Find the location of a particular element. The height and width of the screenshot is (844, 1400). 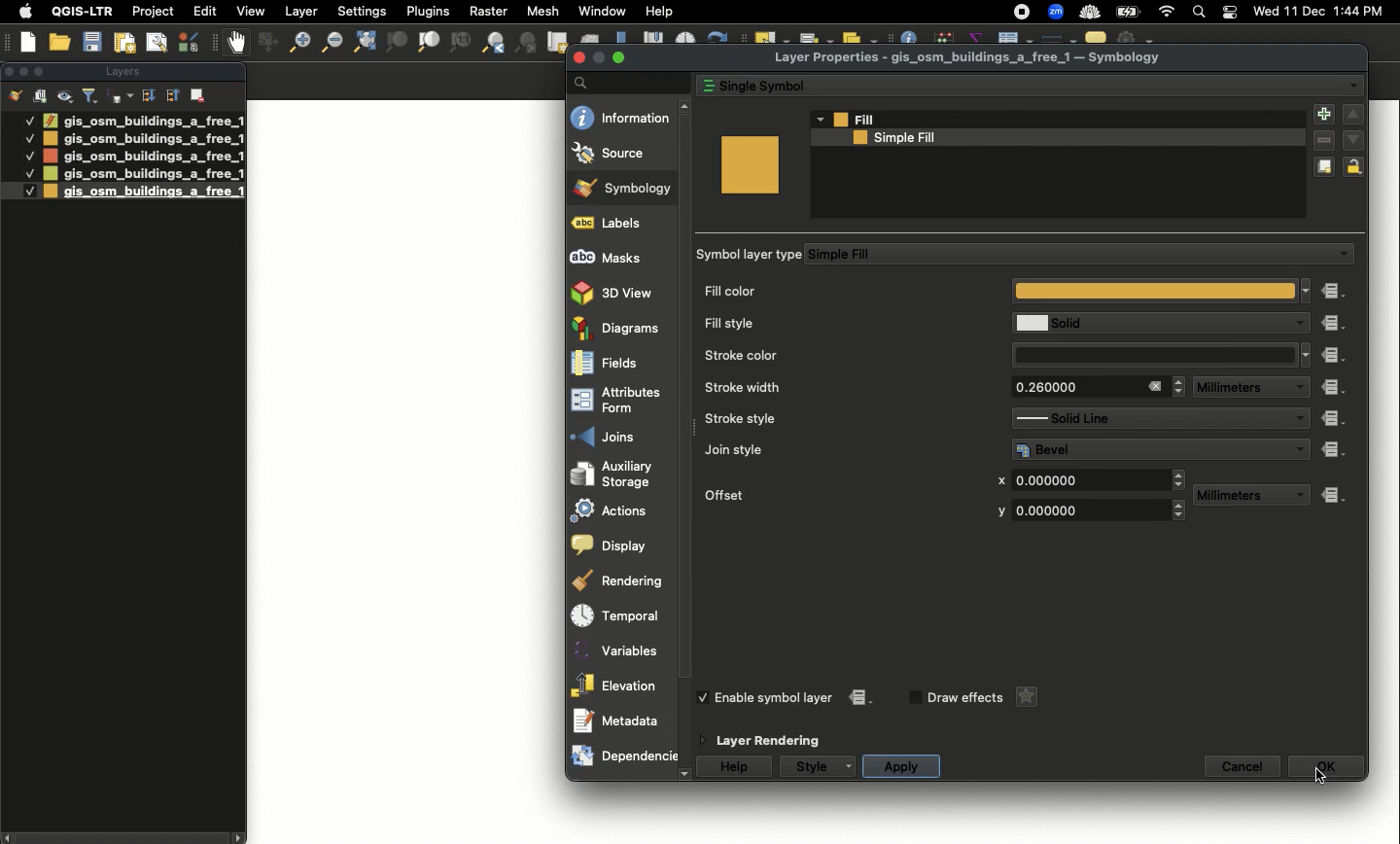

Temporal is located at coordinates (621, 616).